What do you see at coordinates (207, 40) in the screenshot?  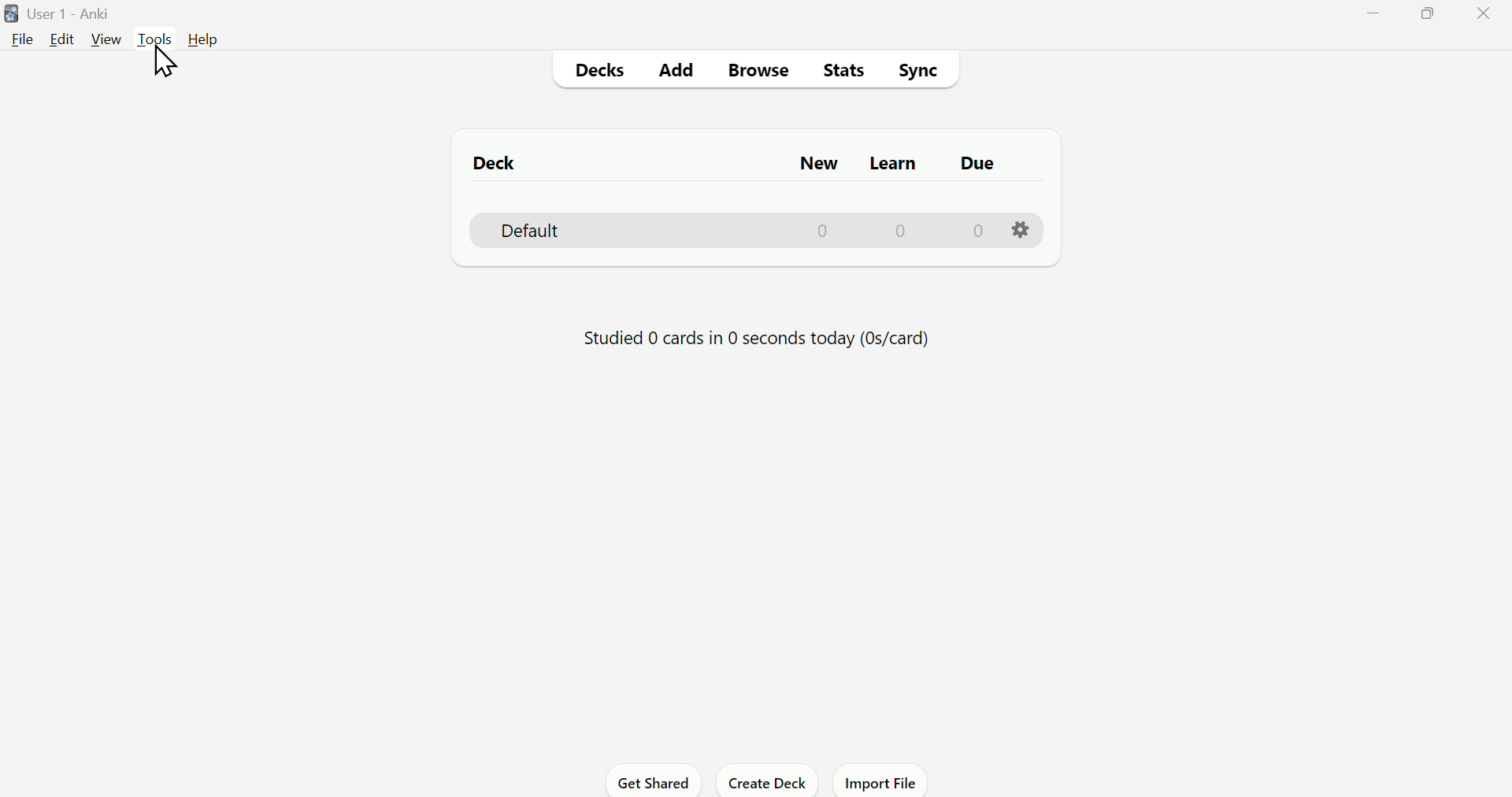 I see `Help` at bounding box center [207, 40].